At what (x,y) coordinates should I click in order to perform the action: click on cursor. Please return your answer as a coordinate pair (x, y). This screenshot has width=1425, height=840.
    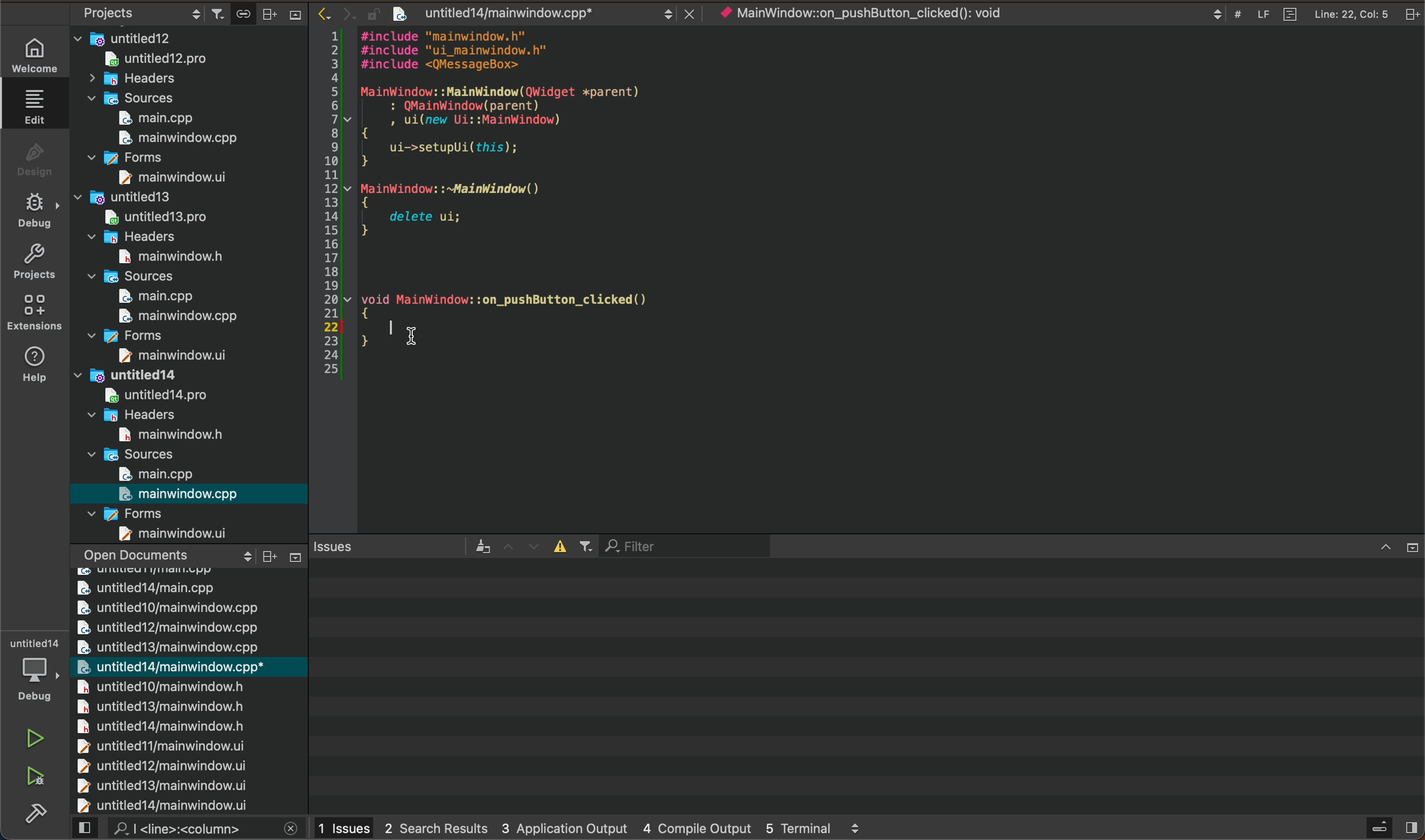
    Looking at the image, I should click on (420, 328).